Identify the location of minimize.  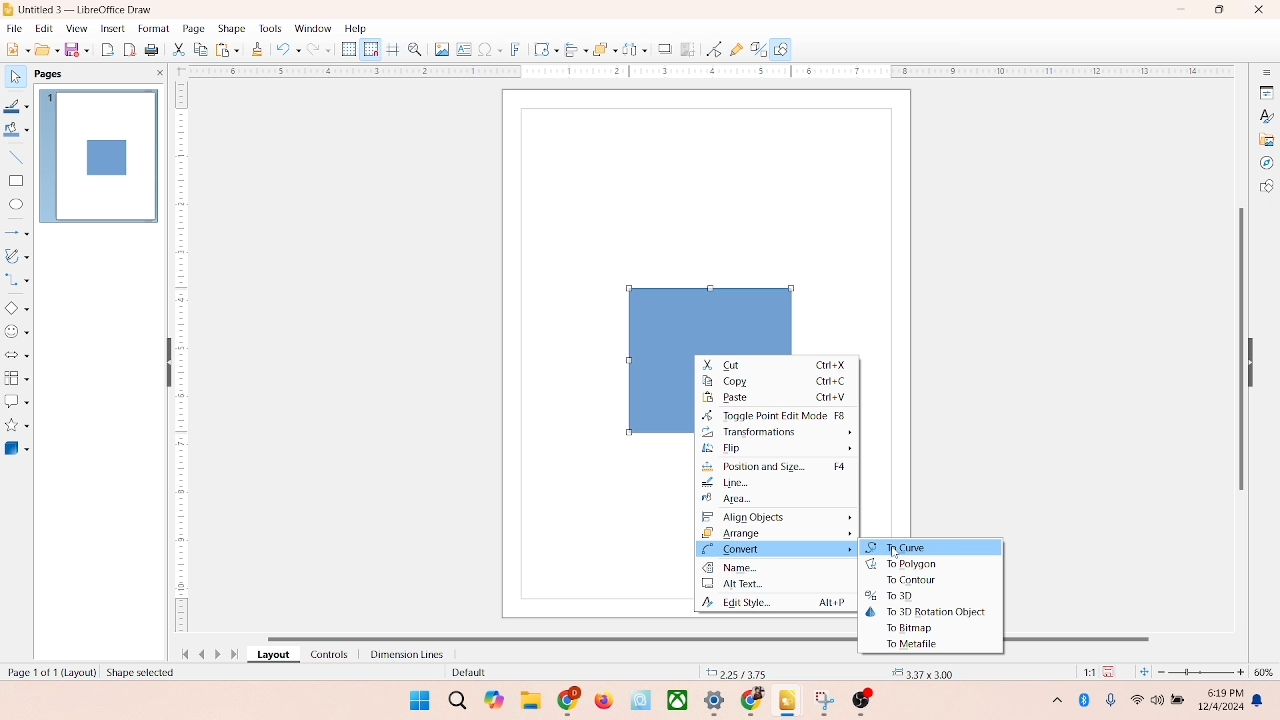
(1183, 9).